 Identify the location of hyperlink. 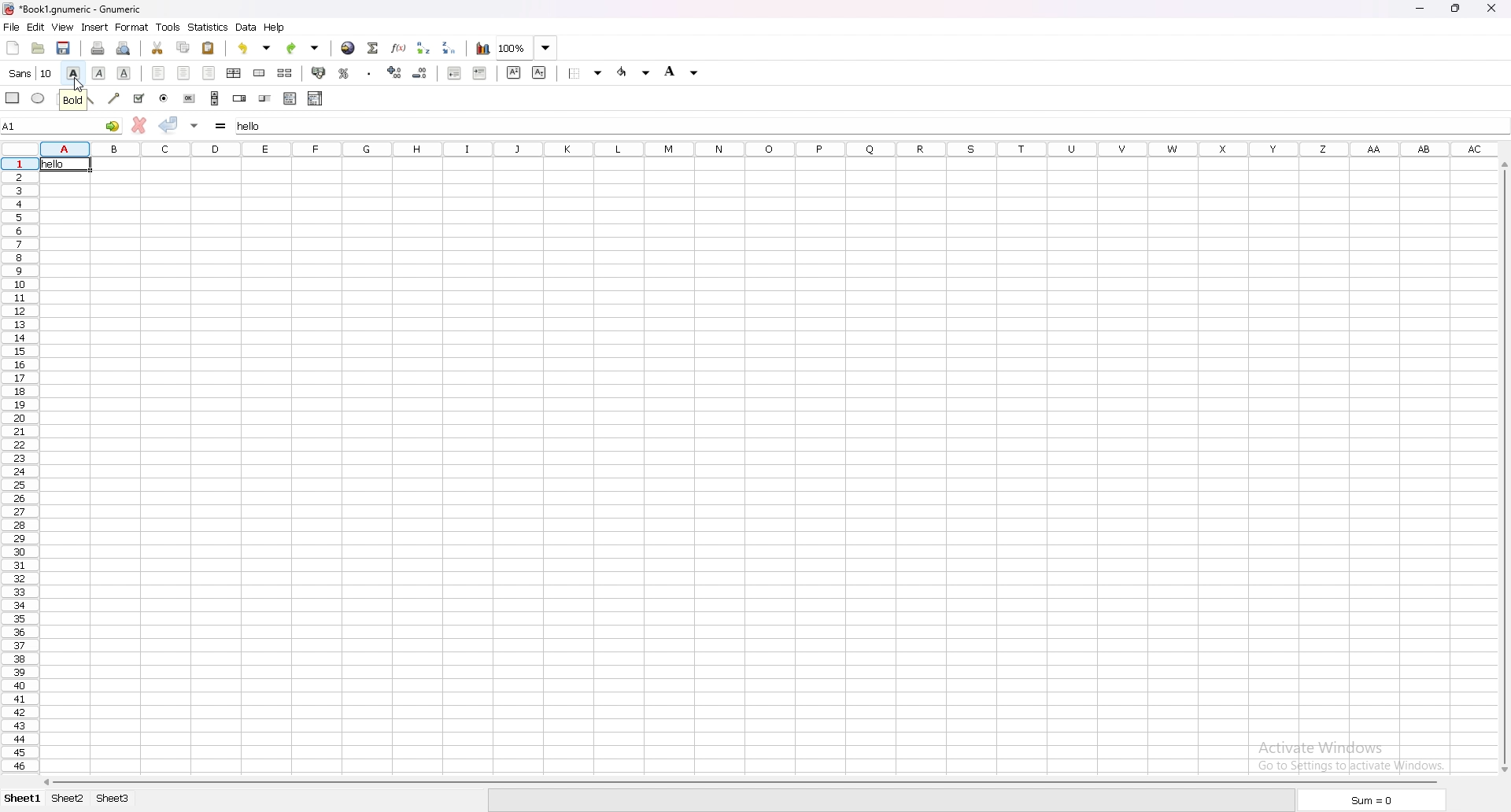
(348, 48).